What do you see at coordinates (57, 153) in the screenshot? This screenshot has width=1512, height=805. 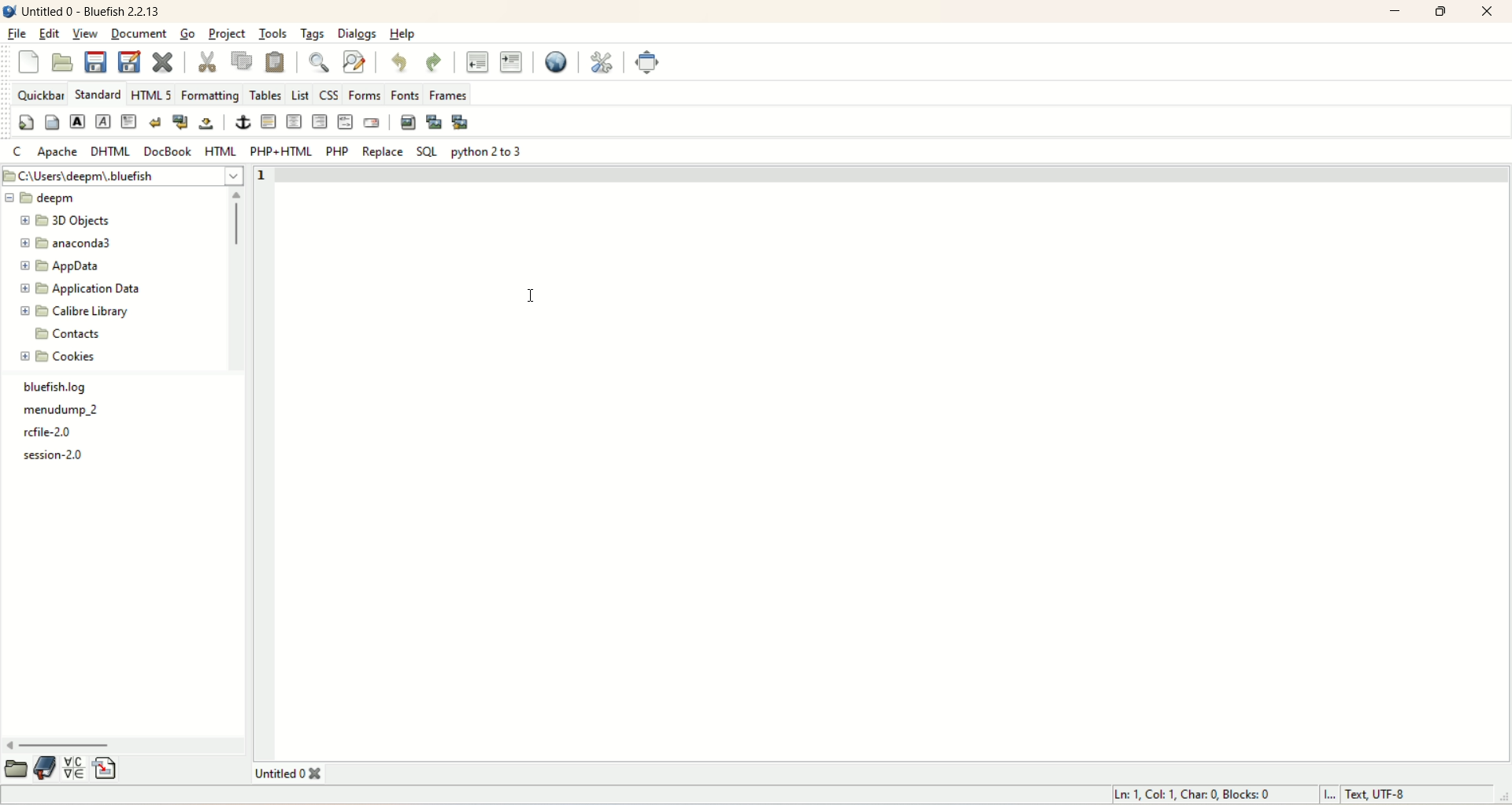 I see `apache` at bounding box center [57, 153].